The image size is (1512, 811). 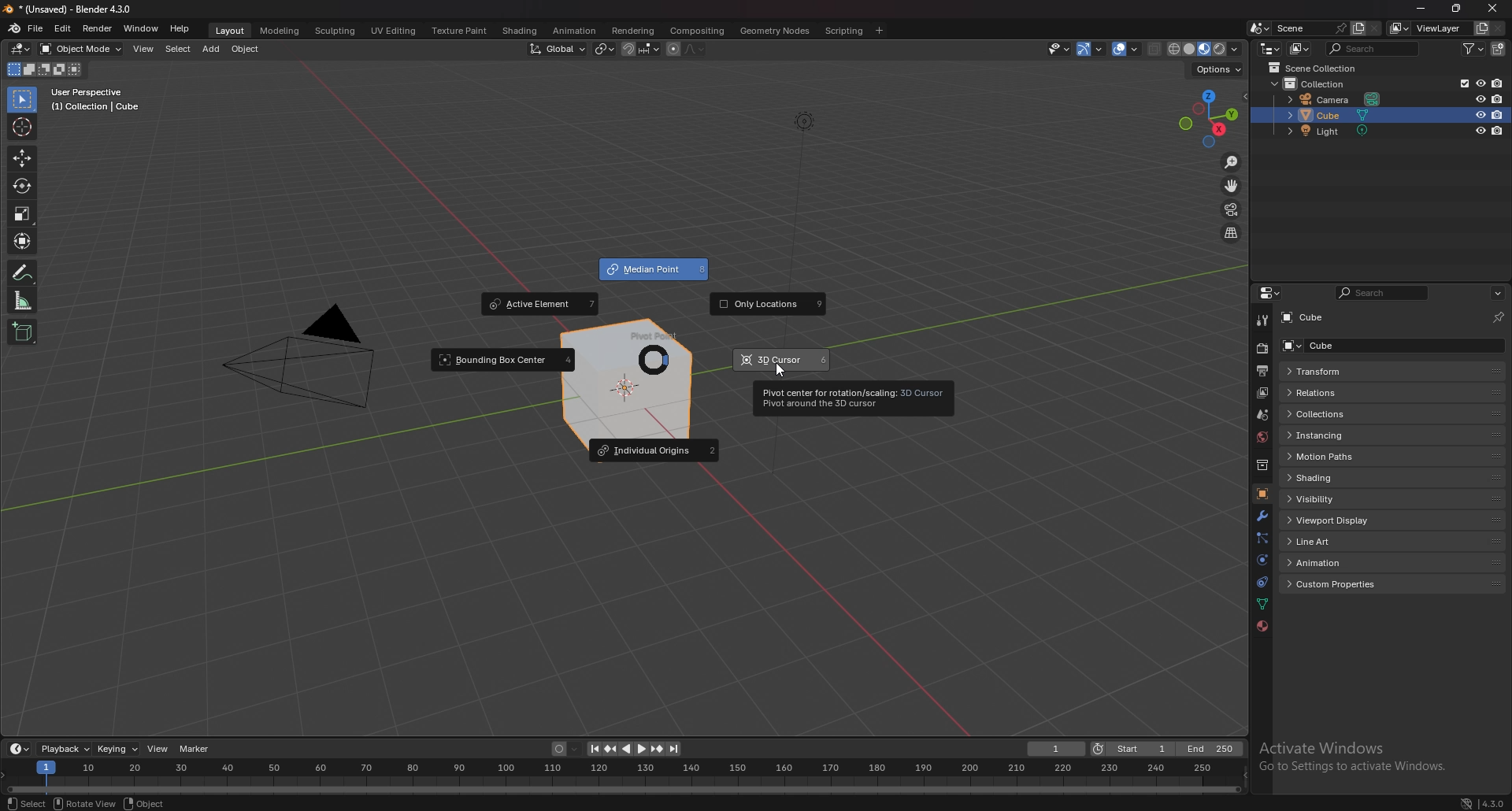 What do you see at coordinates (1260, 28) in the screenshot?
I see `browse scene` at bounding box center [1260, 28].